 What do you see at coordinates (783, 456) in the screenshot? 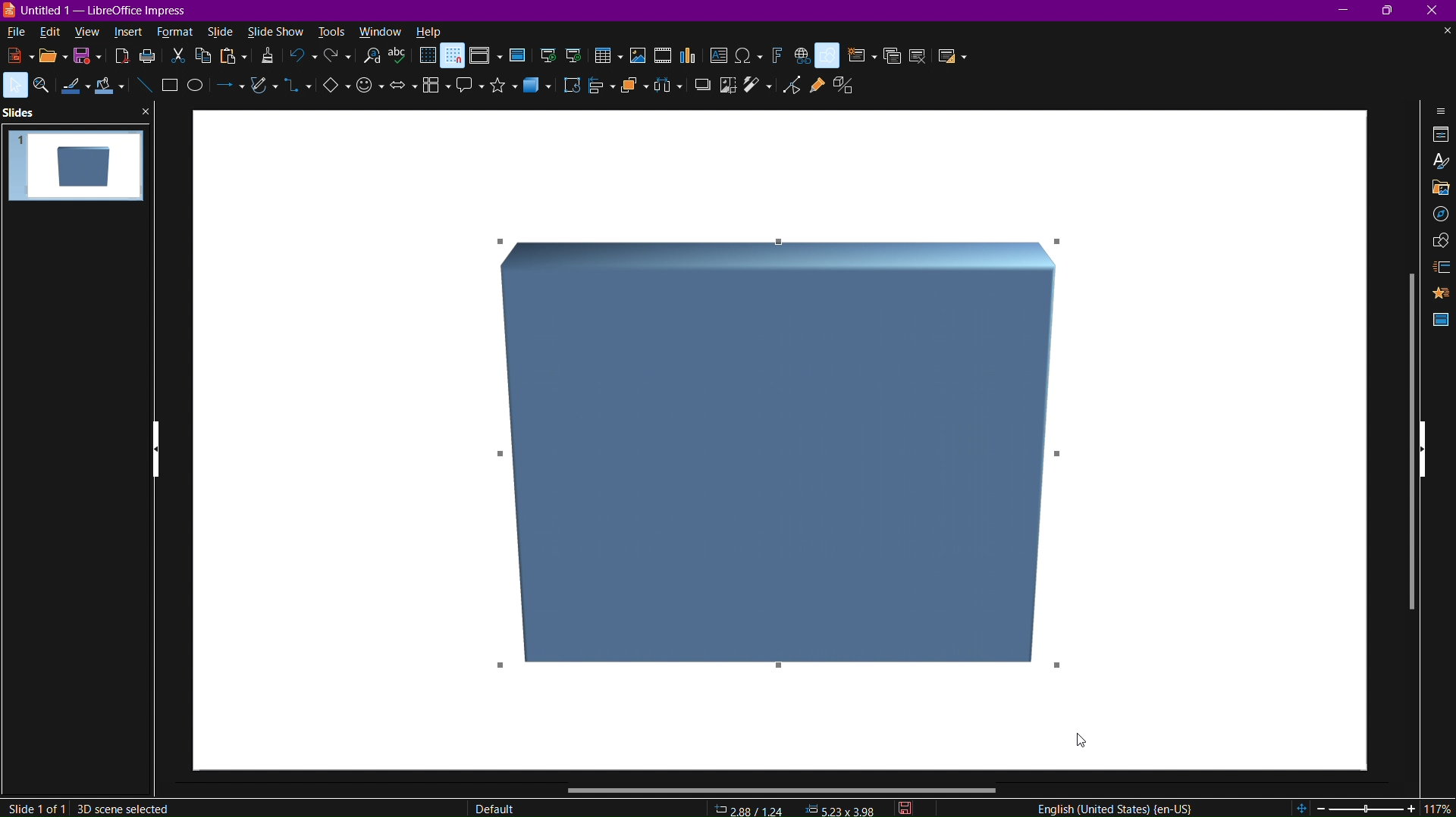
I see `Rectangle (3D)` at bounding box center [783, 456].